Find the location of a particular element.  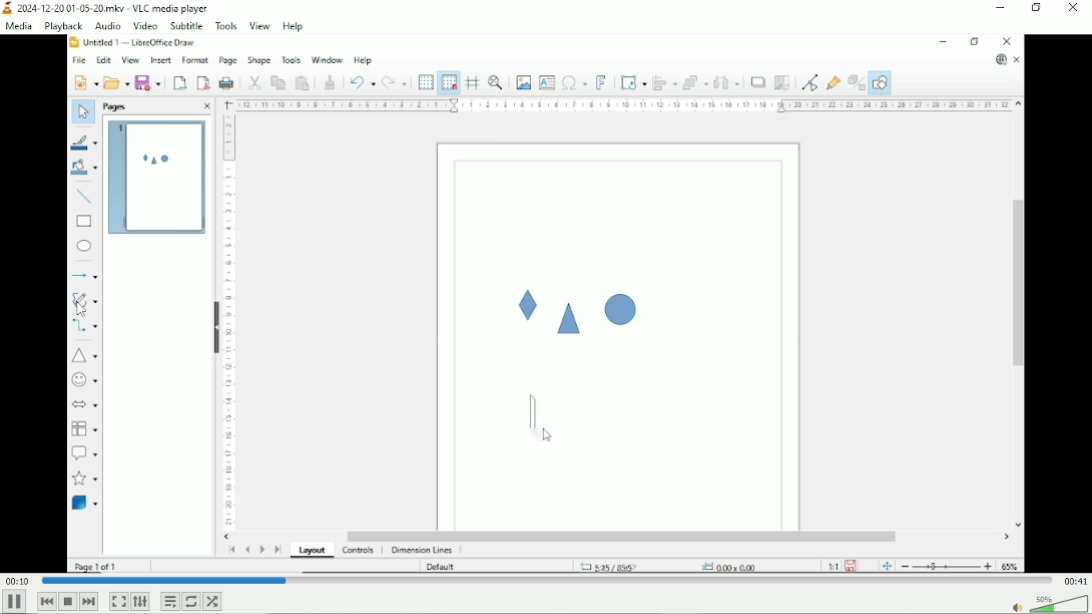

Close is located at coordinates (1072, 8).